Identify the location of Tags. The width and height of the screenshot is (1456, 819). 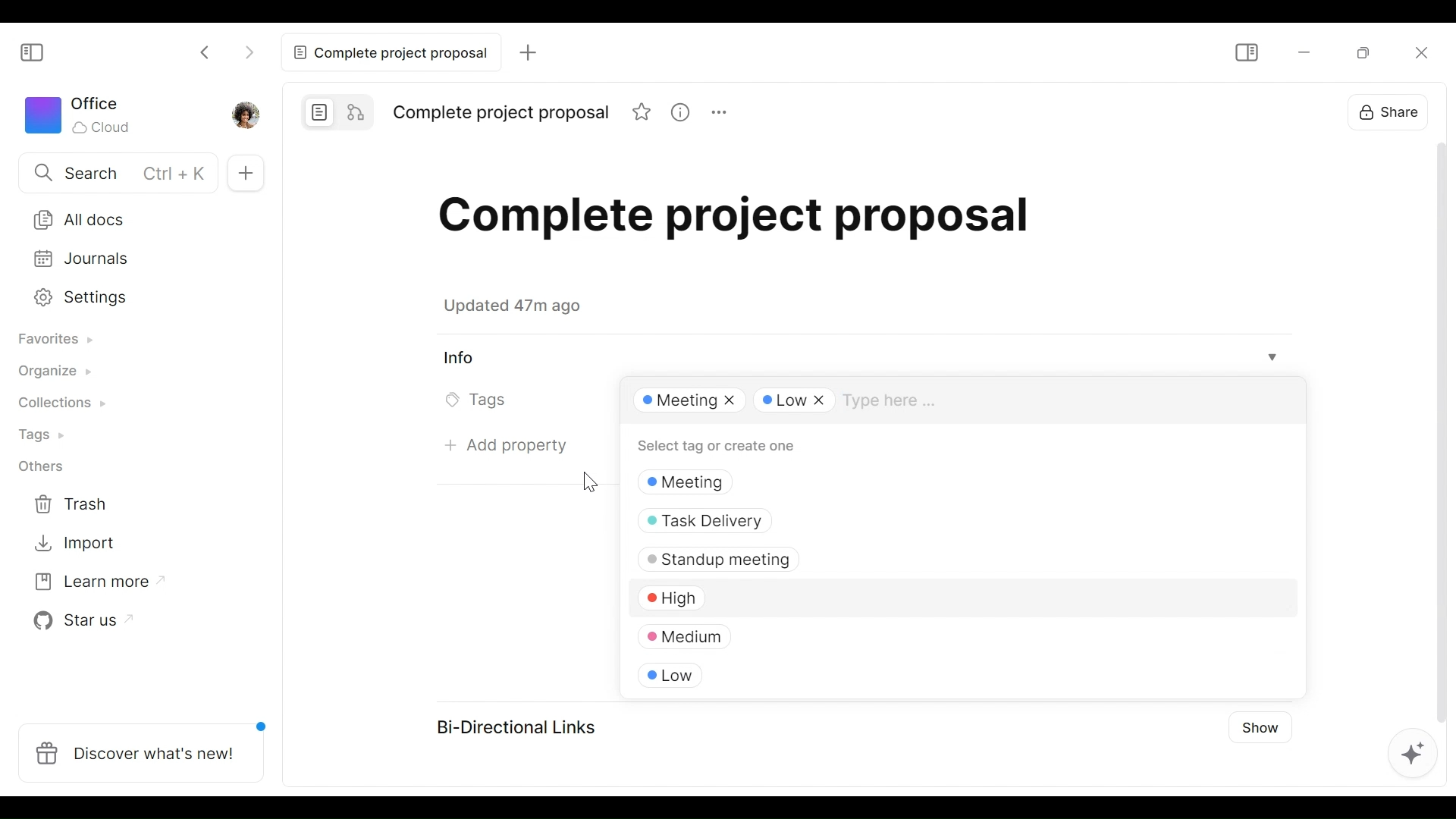
(47, 435).